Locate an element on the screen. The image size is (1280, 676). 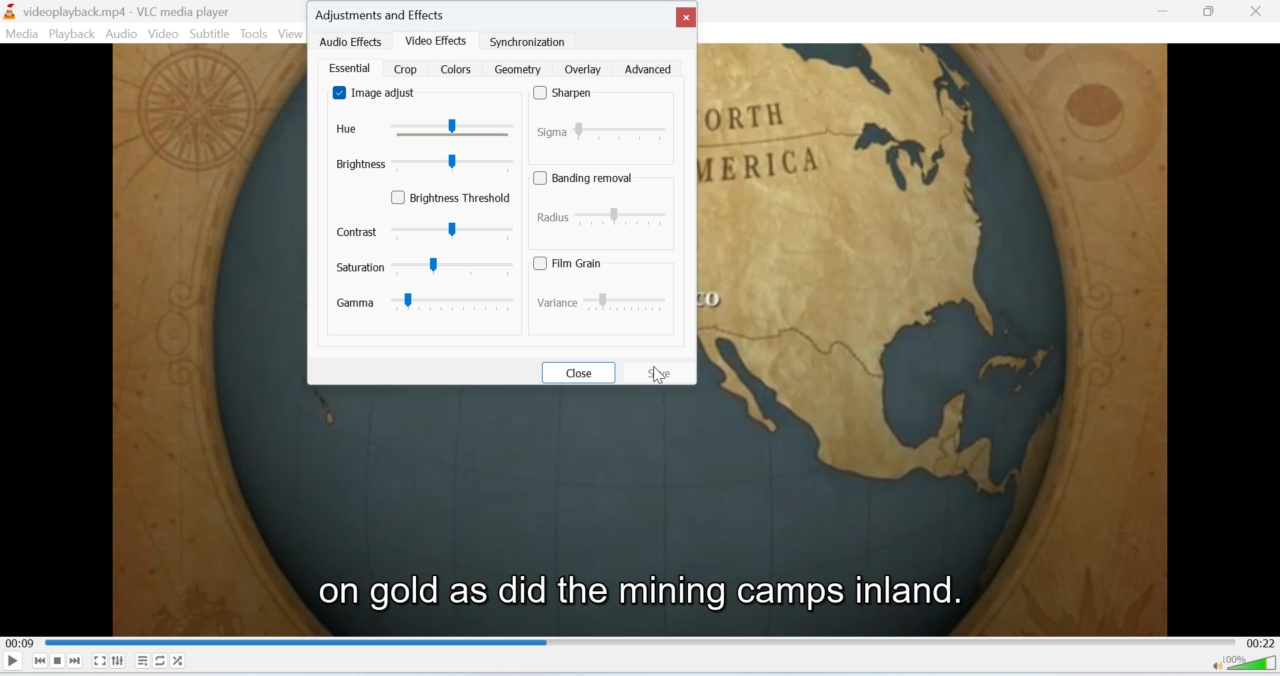
minimise is located at coordinates (1165, 12).